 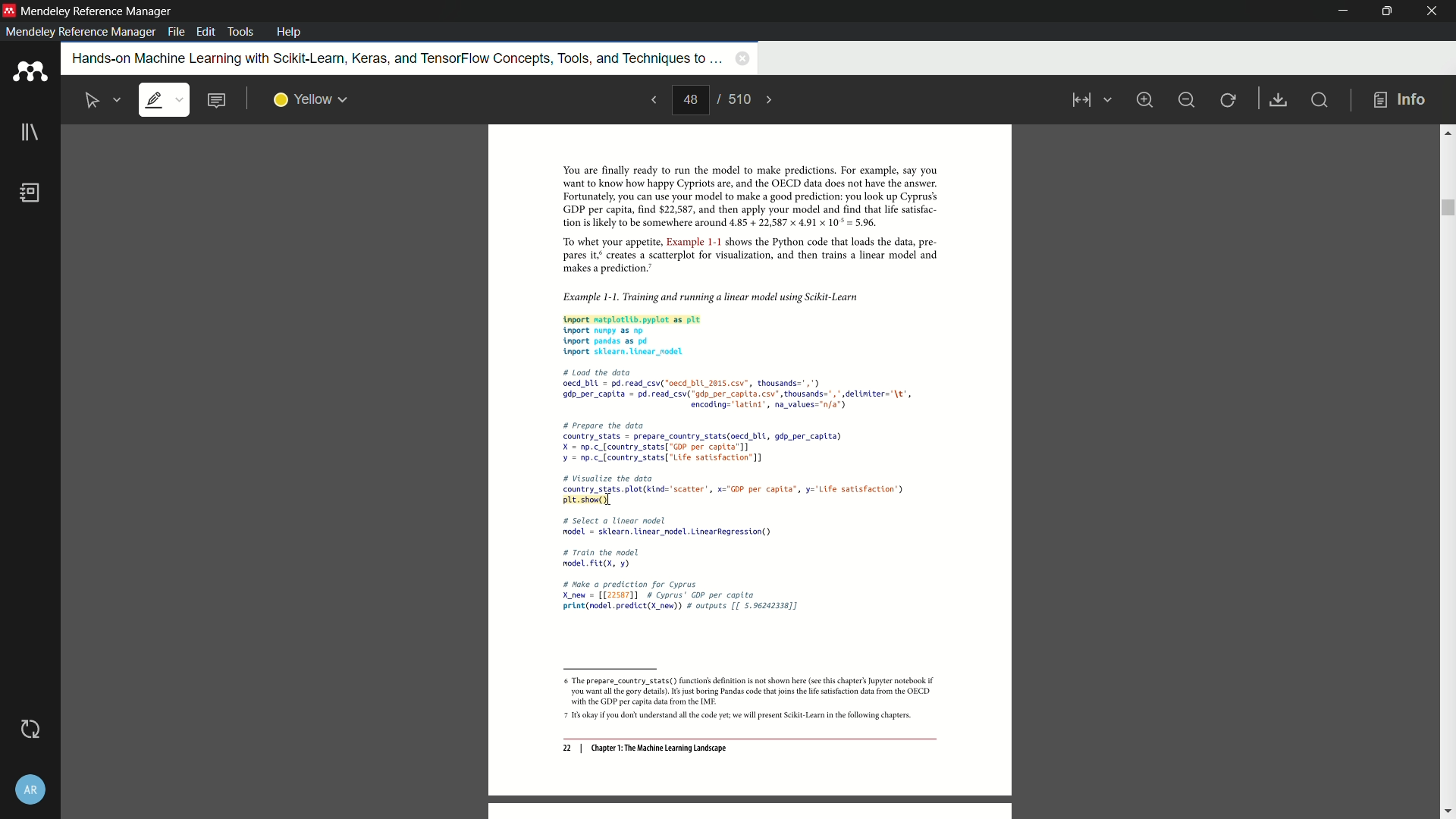 What do you see at coordinates (738, 99) in the screenshot?
I see `total page` at bounding box center [738, 99].